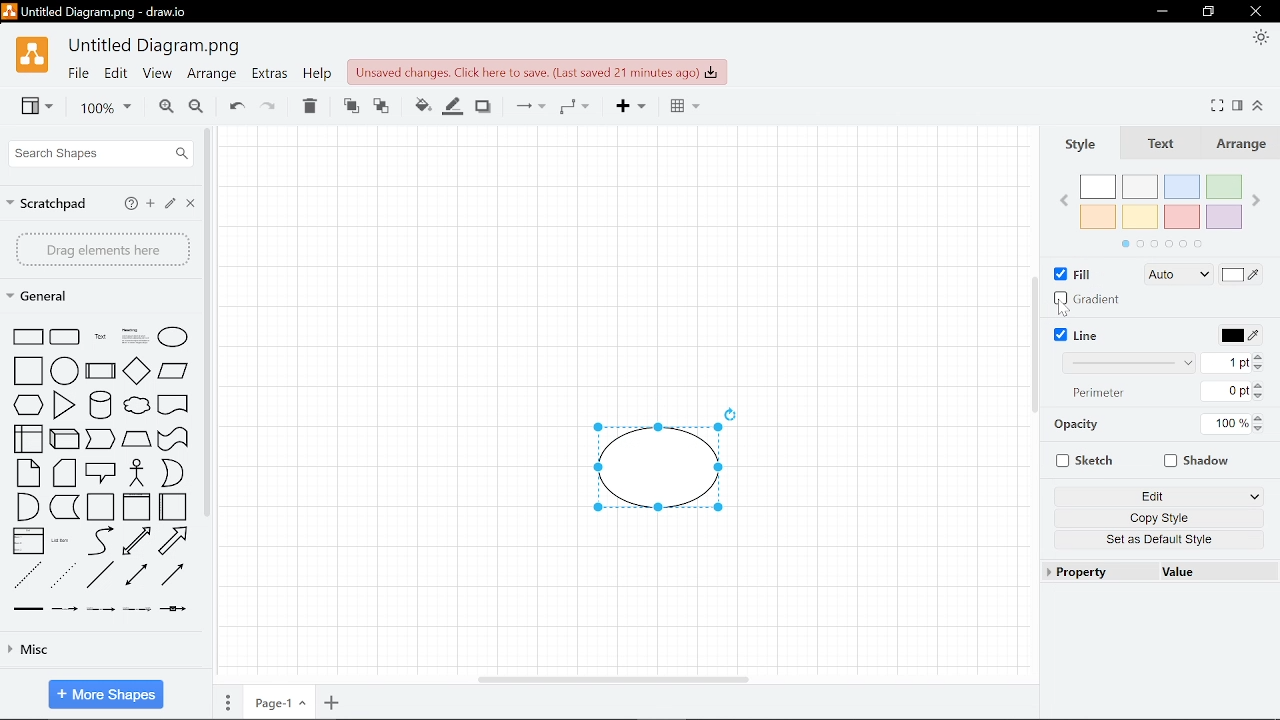 Image resolution: width=1280 pixels, height=720 pixels. What do you see at coordinates (1134, 364) in the screenshot?
I see `Line width` at bounding box center [1134, 364].